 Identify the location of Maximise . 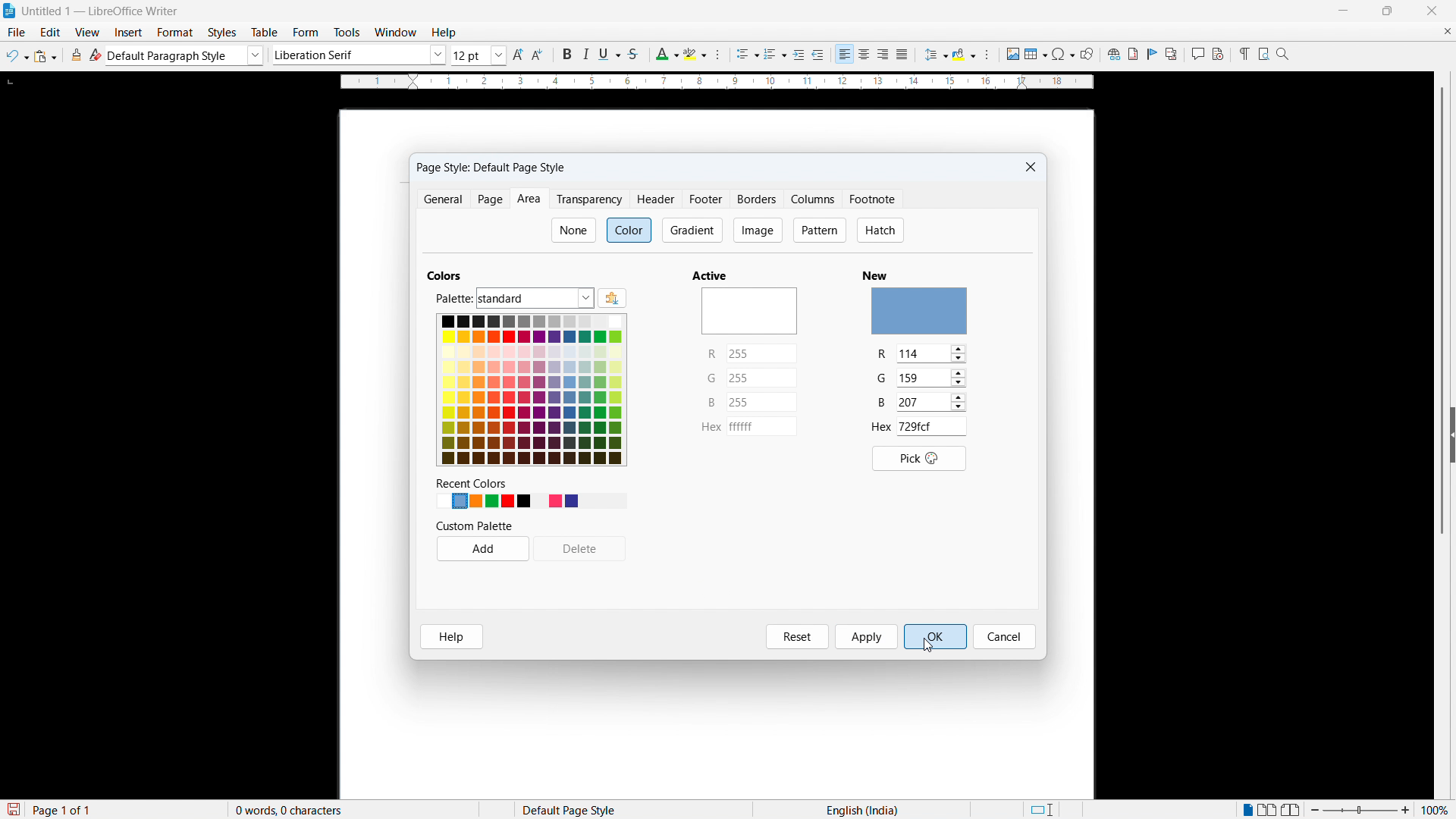
(1388, 11).